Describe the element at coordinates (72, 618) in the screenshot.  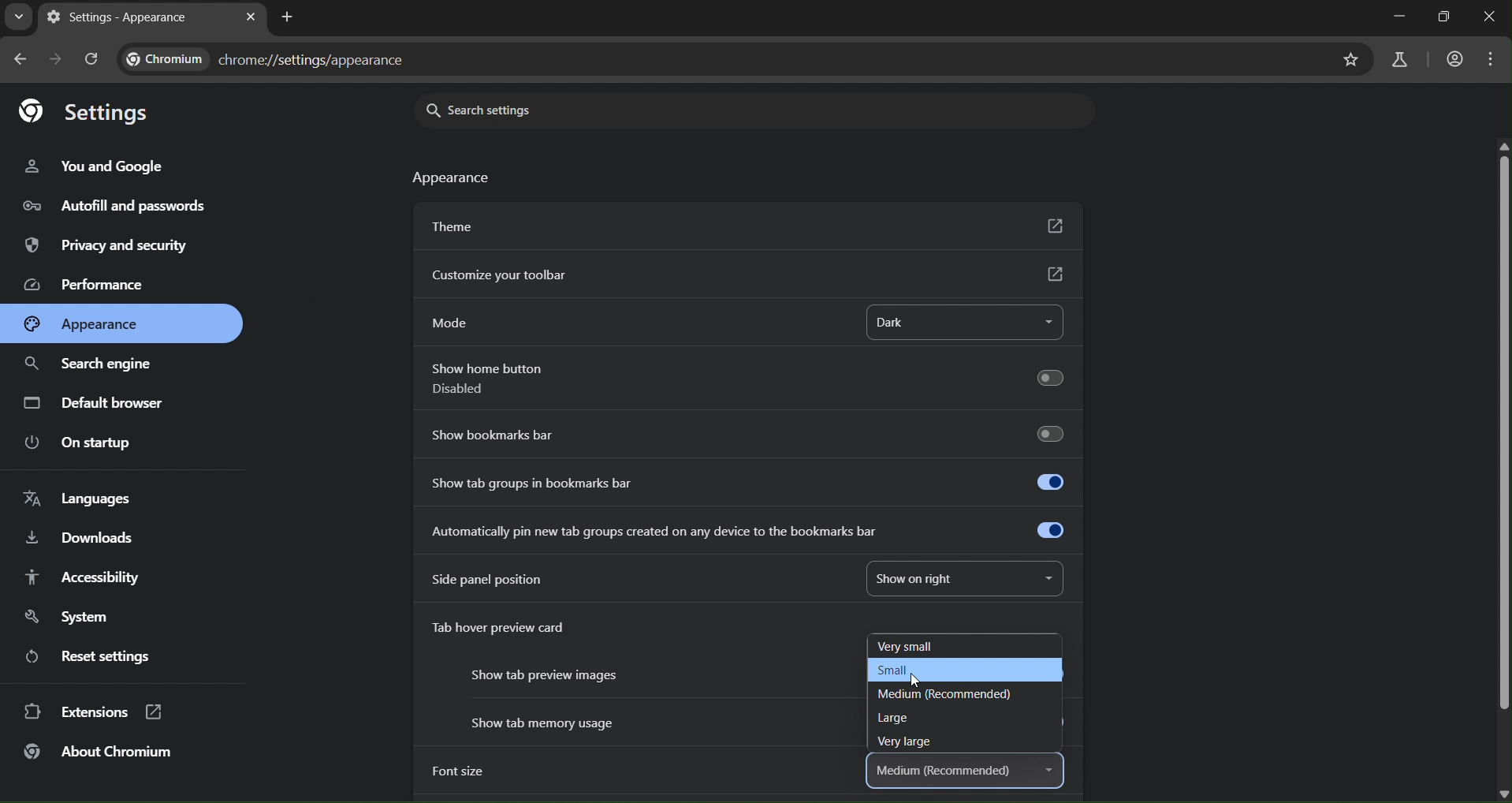
I see `system` at that location.